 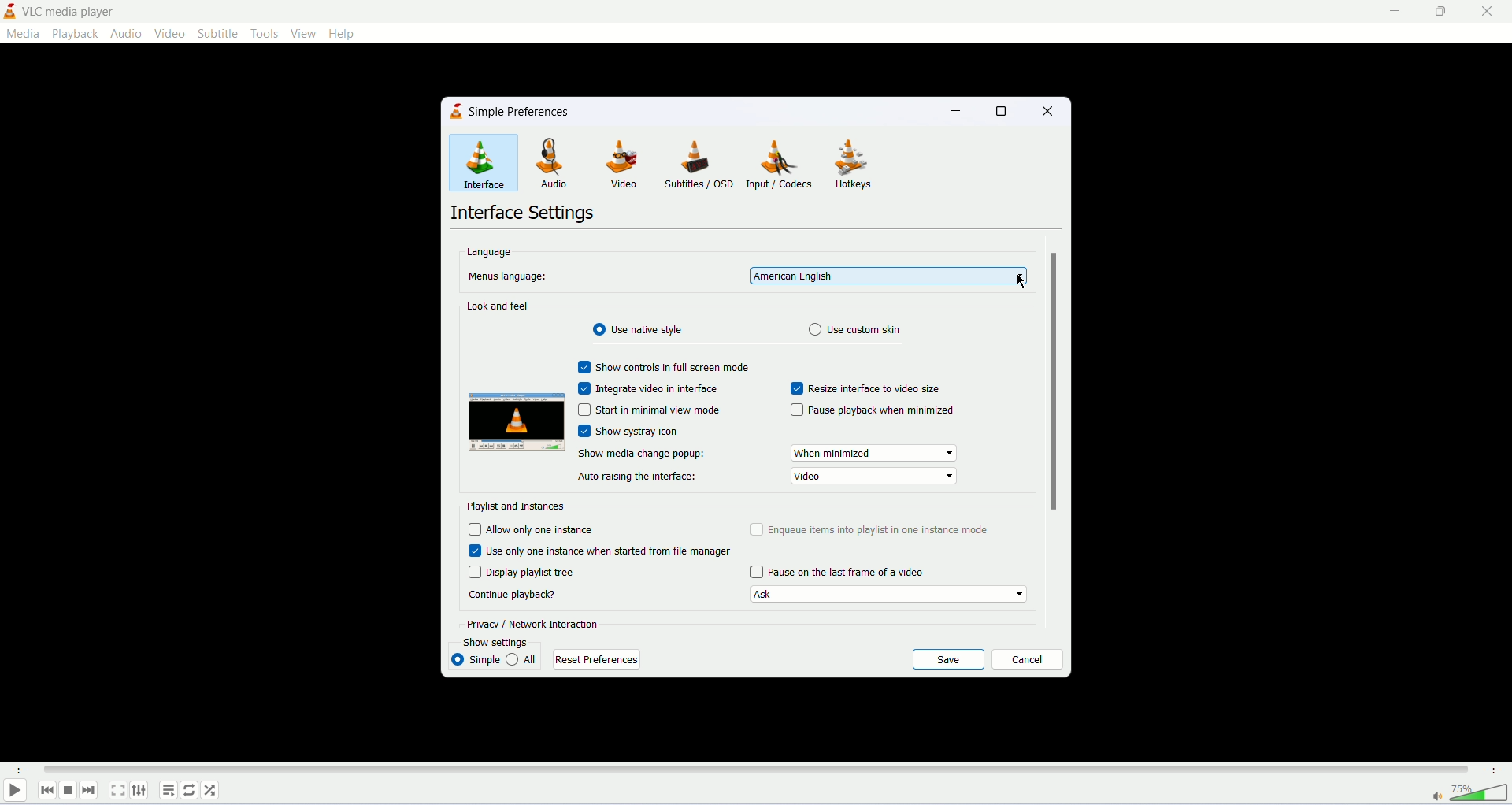 What do you see at coordinates (476, 658) in the screenshot?
I see `simple` at bounding box center [476, 658].